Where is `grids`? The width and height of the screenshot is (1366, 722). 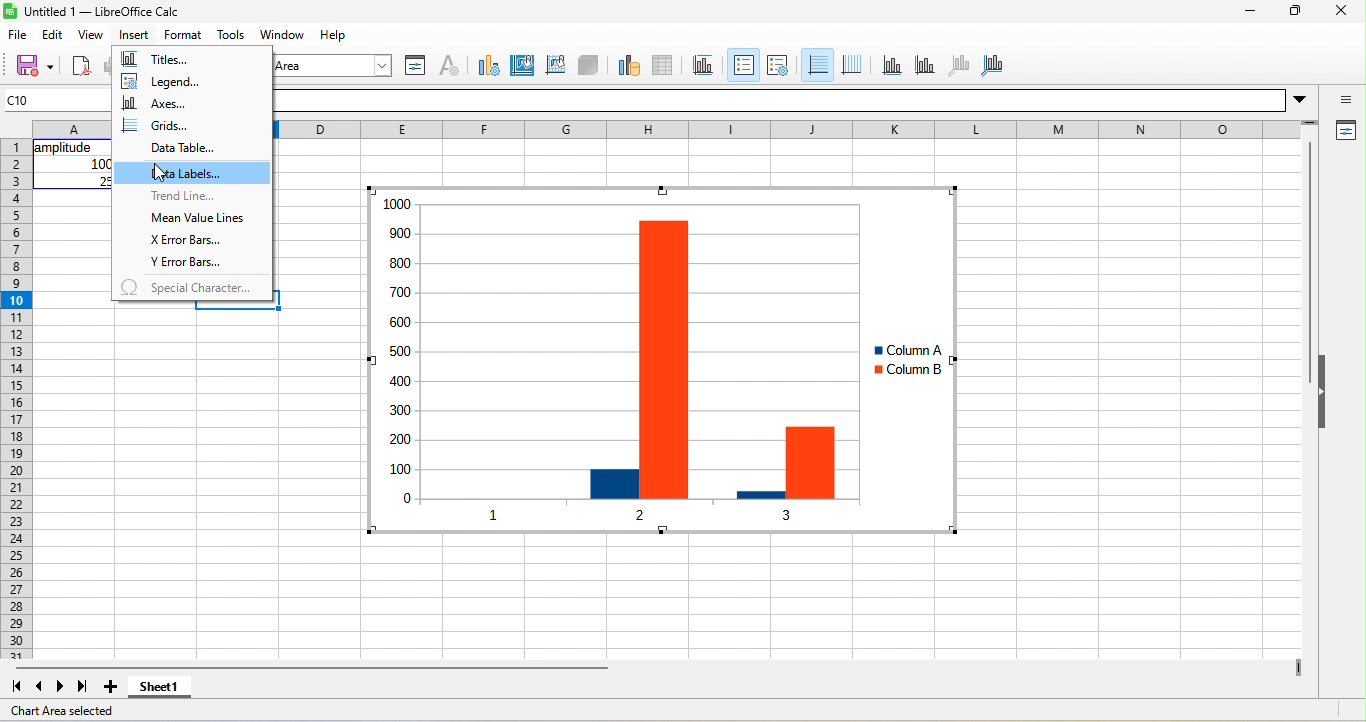
grids is located at coordinates (158, 125).